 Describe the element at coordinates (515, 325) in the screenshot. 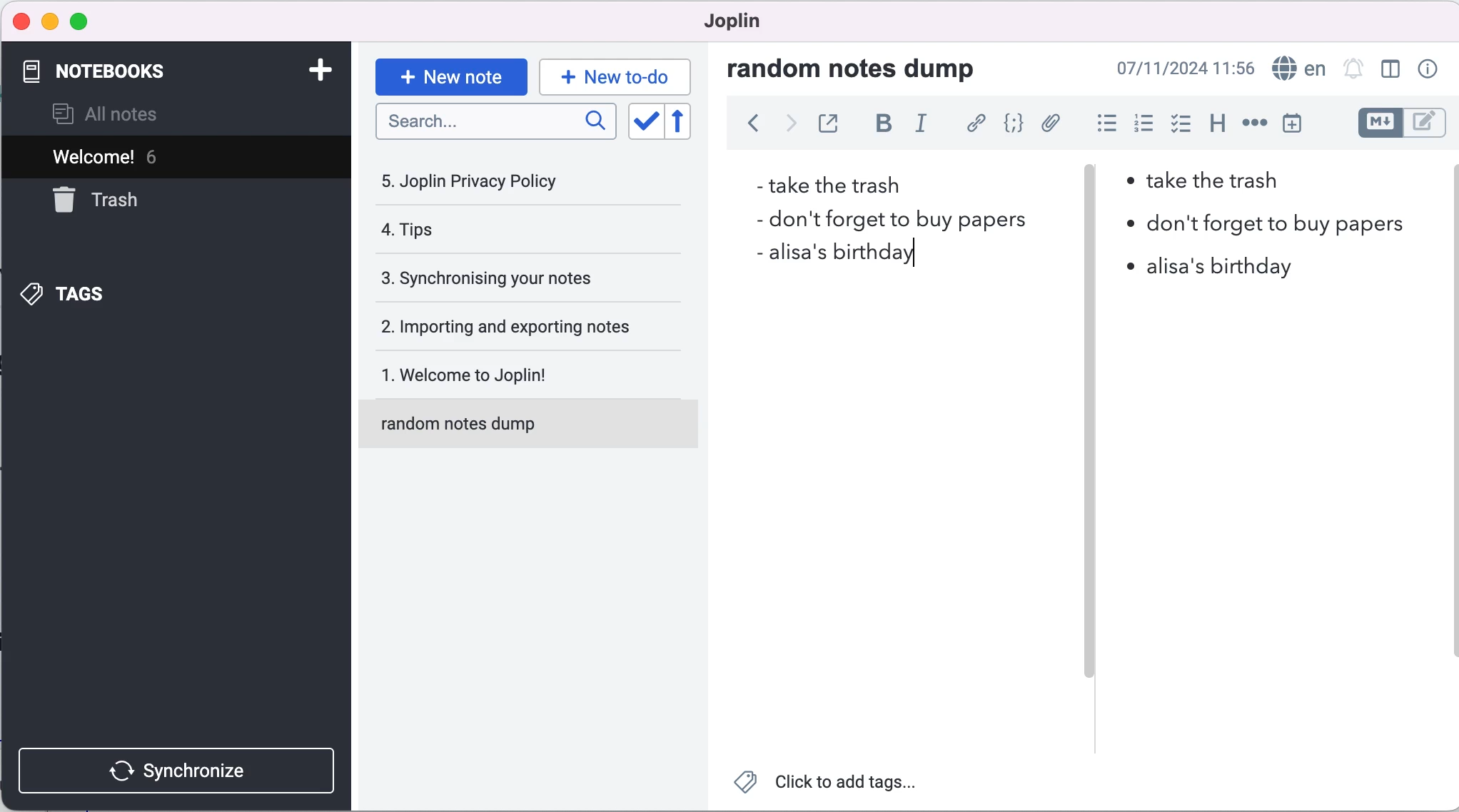

I see `importing and exporting notes` at that location.